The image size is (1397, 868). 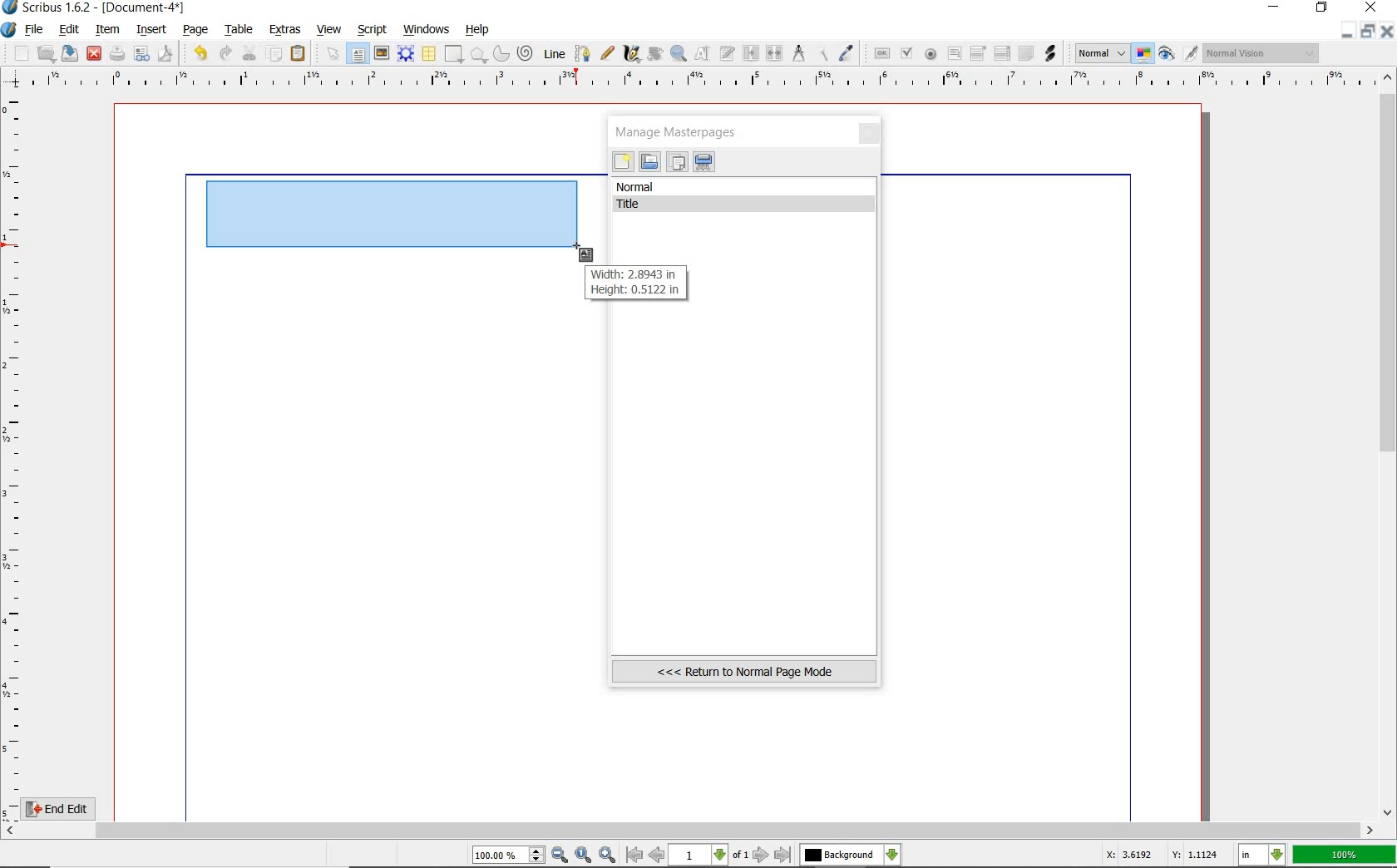 What do you see at coordinates (799, 54) in the screenshot?
I see `measurements` at bounding box center [799, 54].